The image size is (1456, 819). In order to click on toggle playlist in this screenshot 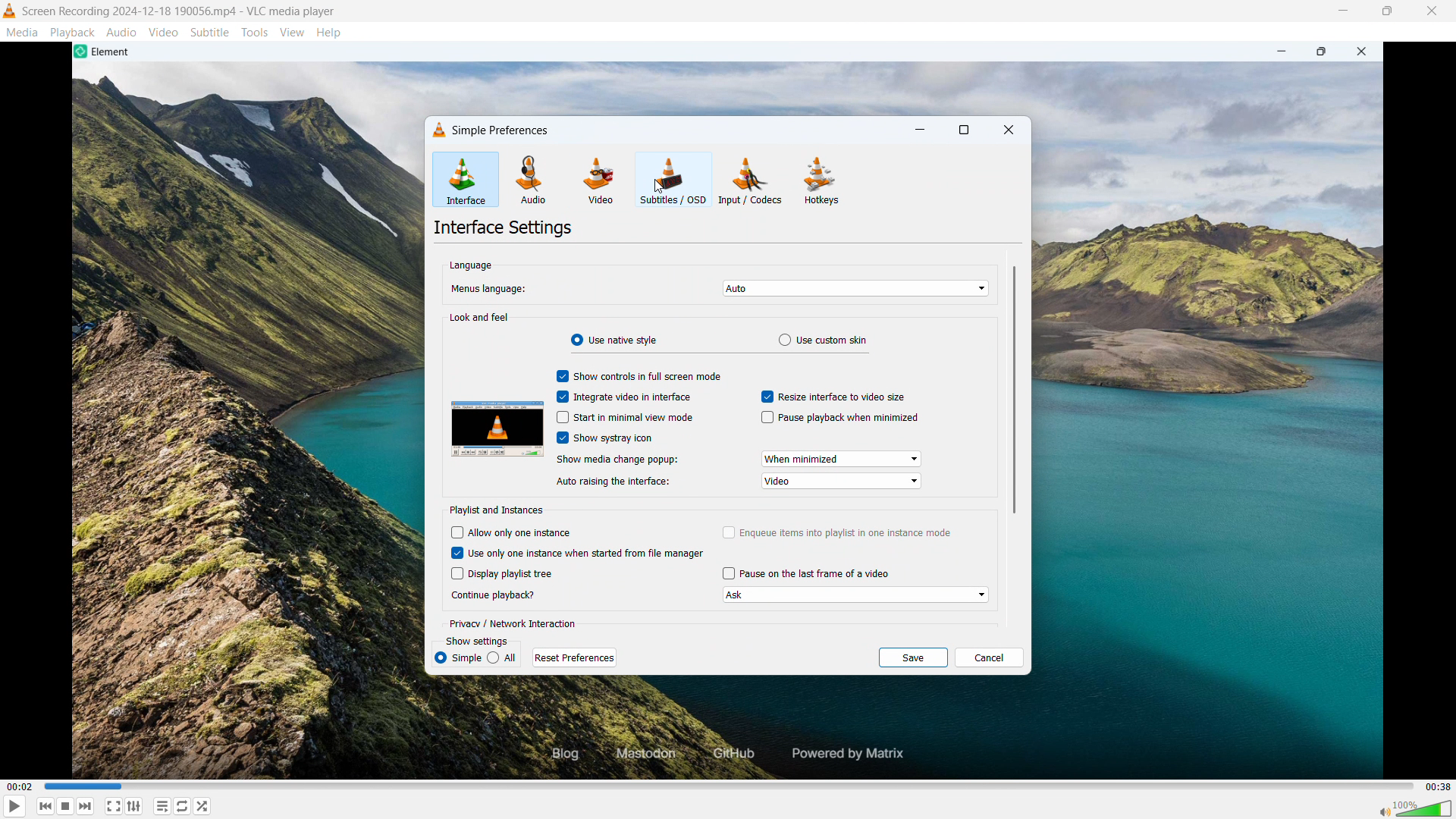, I will do `click(162, 806)`.